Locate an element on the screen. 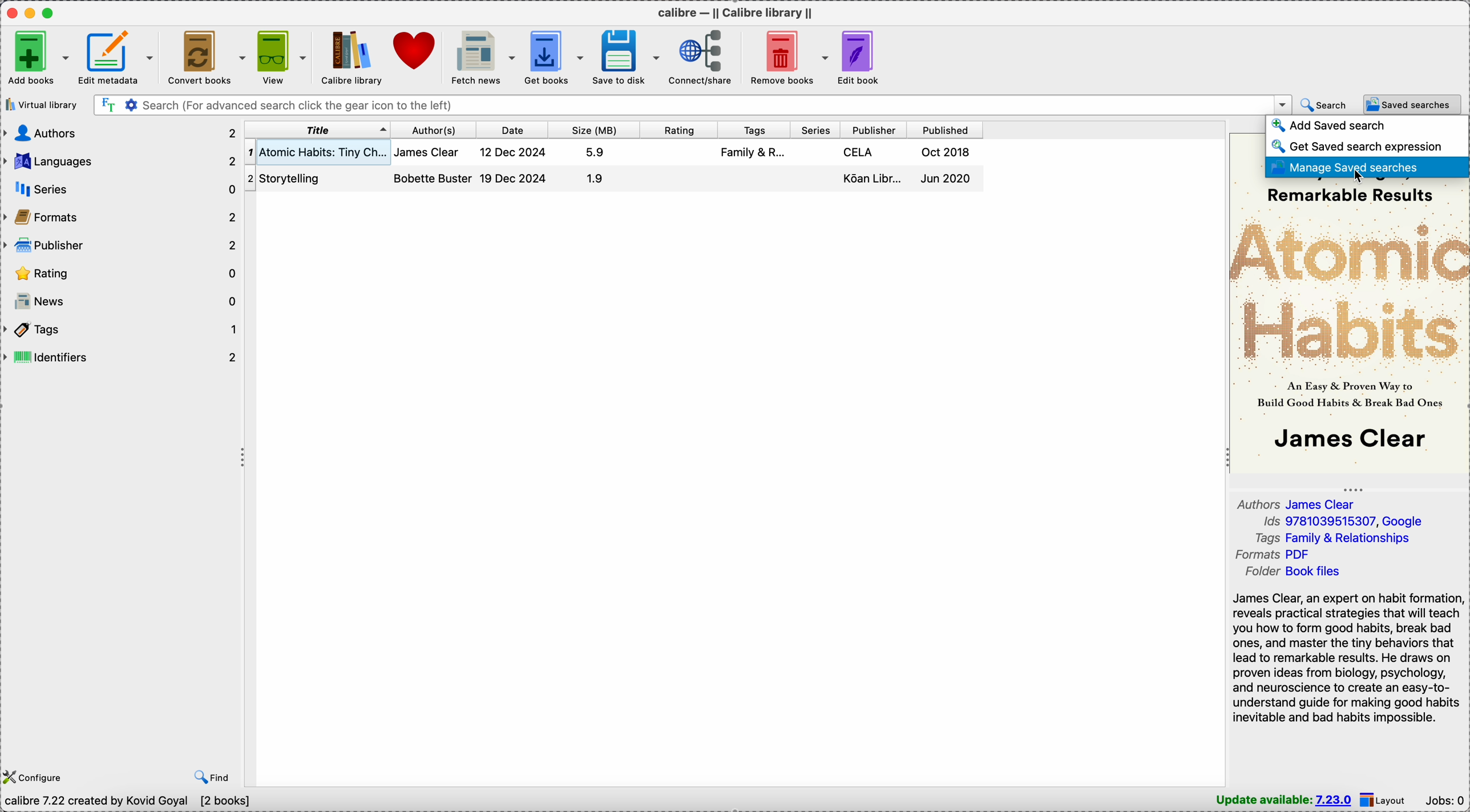  edit book is located at coordinates (863, 58).